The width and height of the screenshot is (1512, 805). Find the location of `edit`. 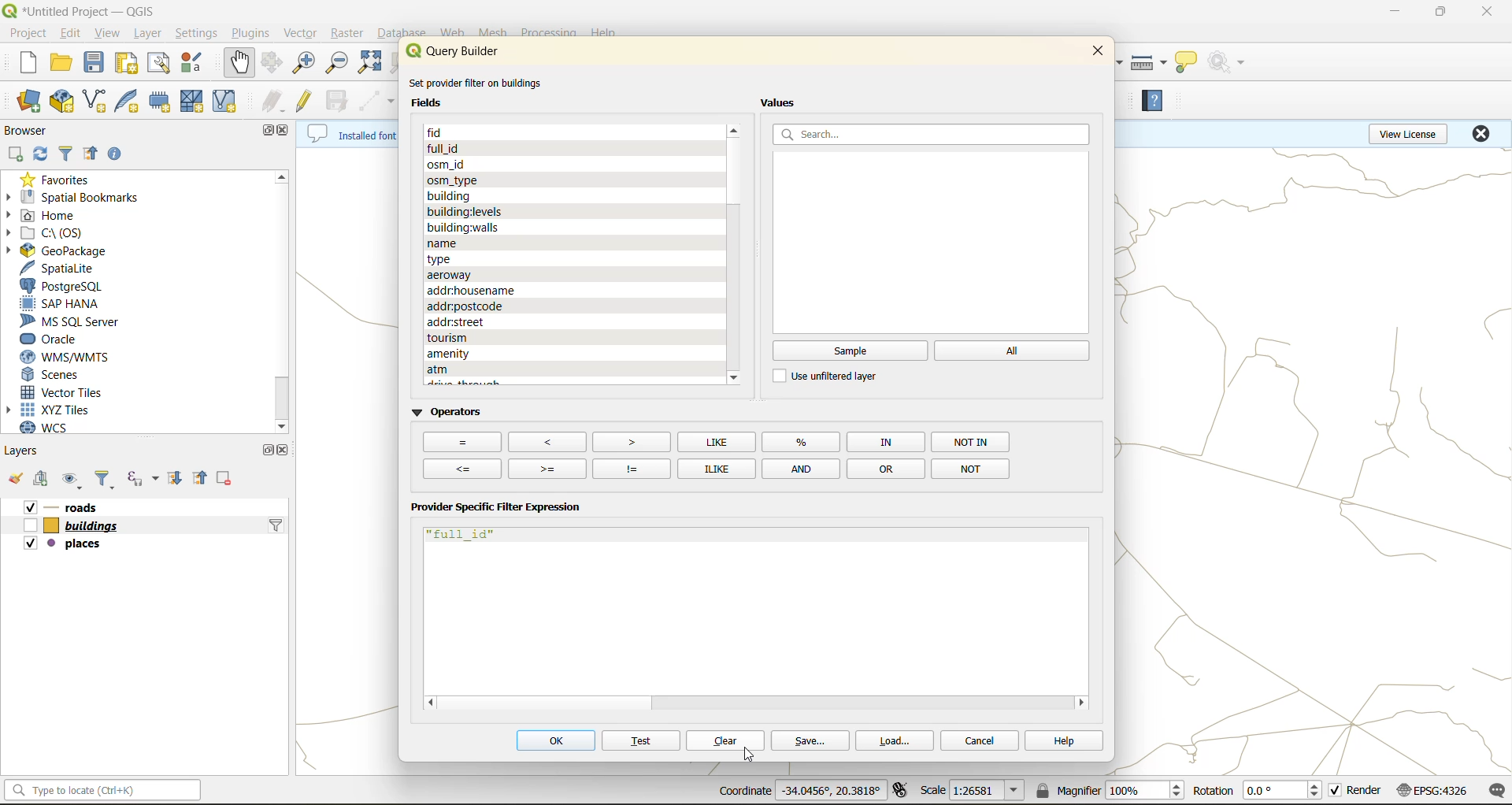

edit is located at coordinates (74, 34).